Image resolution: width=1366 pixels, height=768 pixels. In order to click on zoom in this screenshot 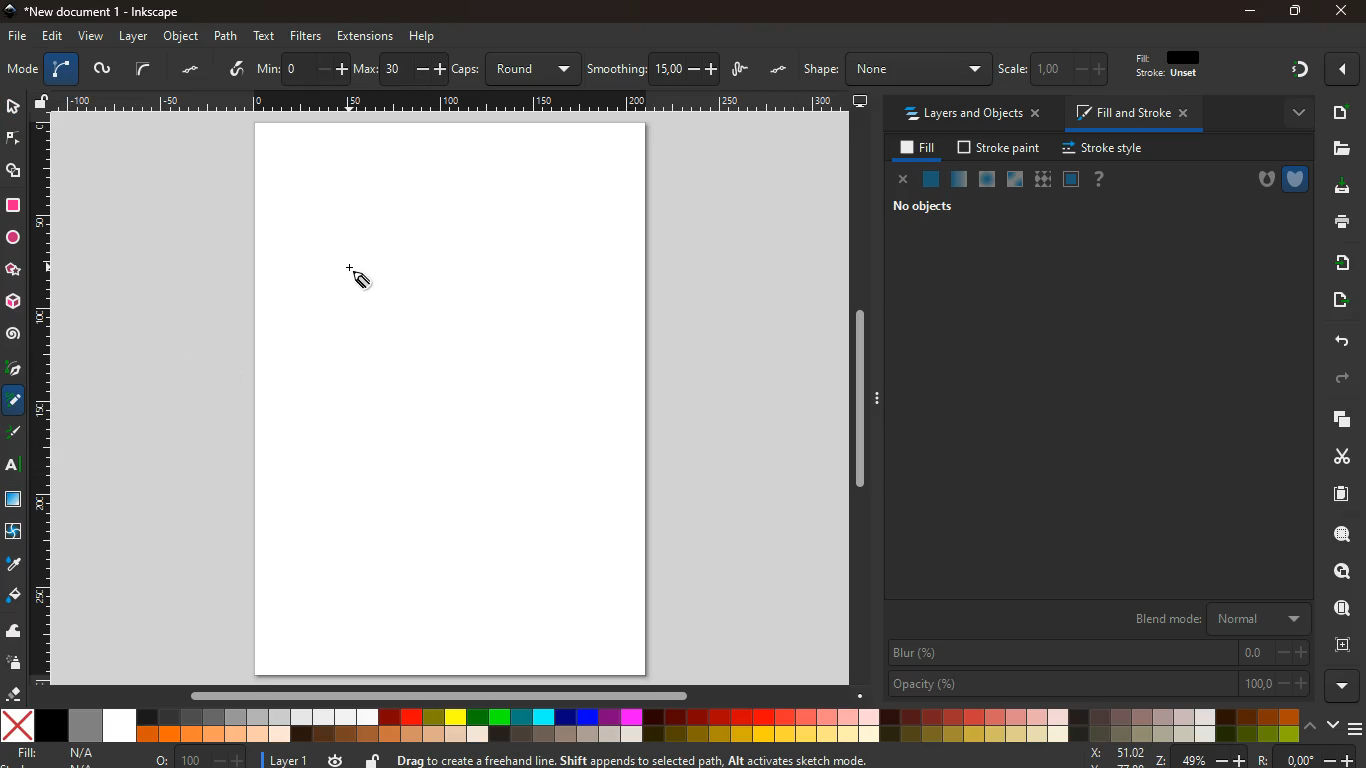, I will do `click(201, 756)`.